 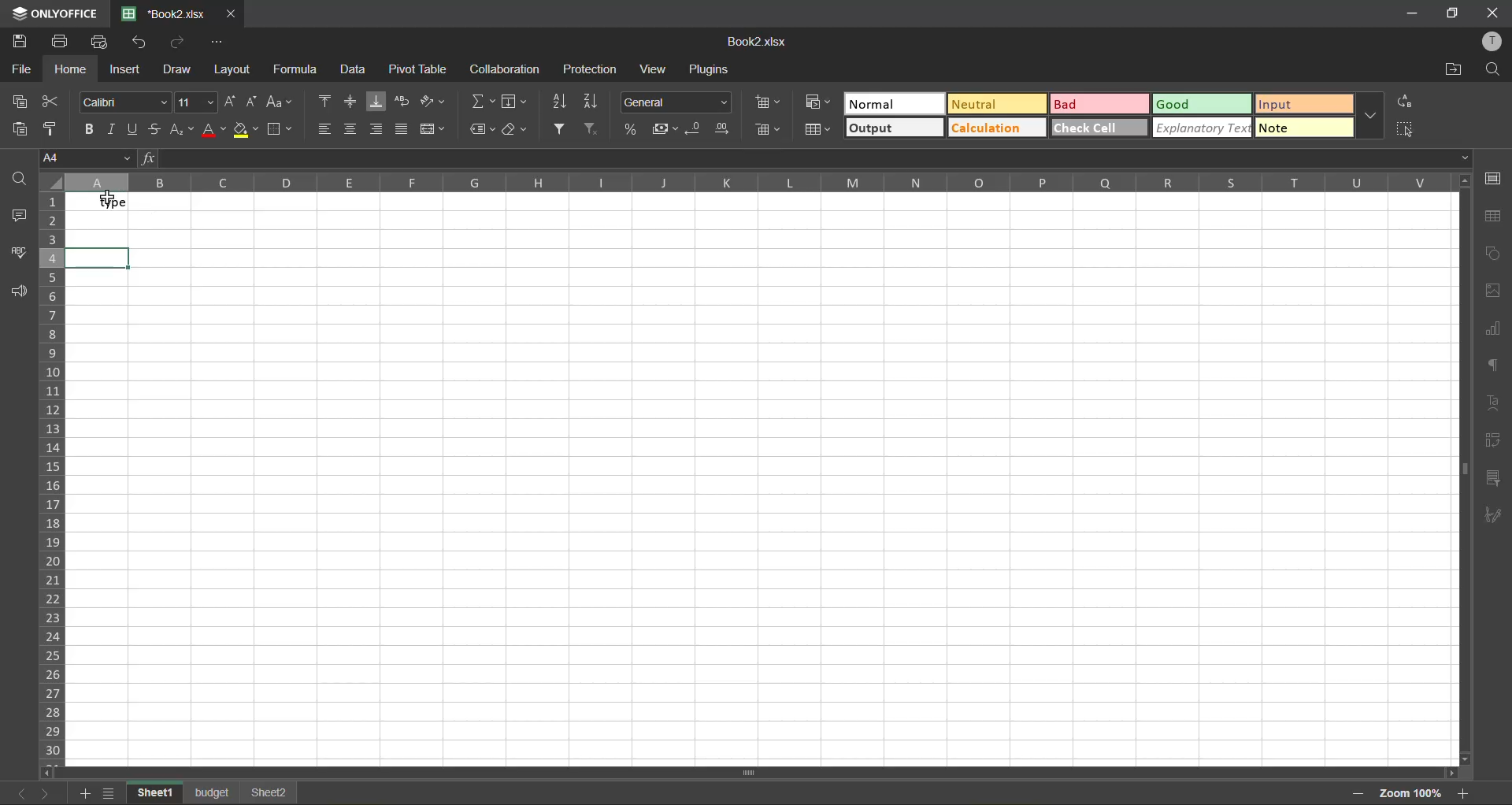 I want to click on copy style, so click(x=55, y=128).